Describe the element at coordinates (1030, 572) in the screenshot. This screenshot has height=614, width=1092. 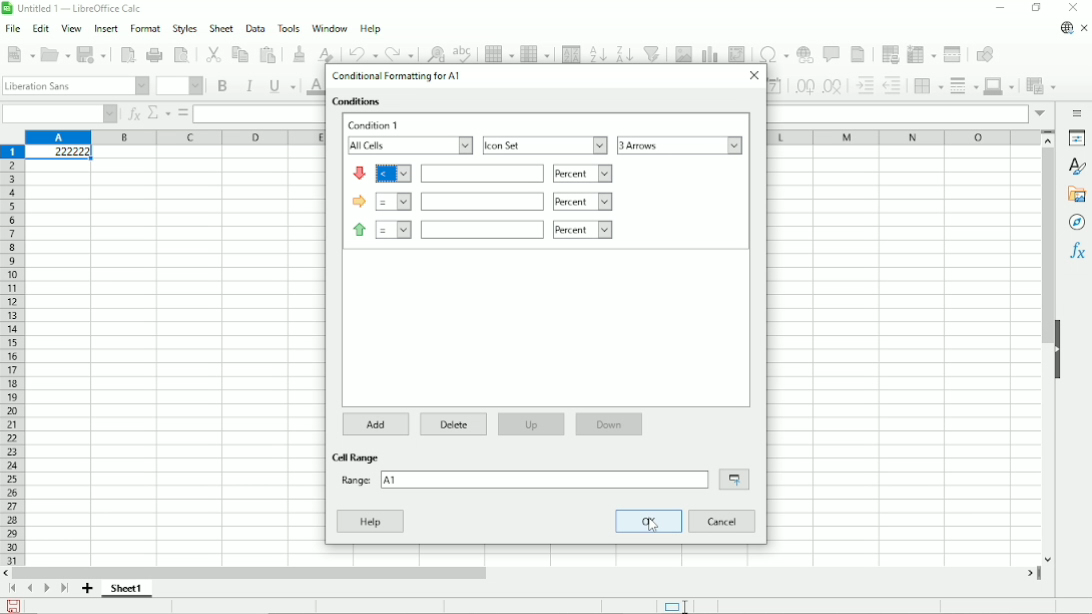
I see `scroll right` at that location.